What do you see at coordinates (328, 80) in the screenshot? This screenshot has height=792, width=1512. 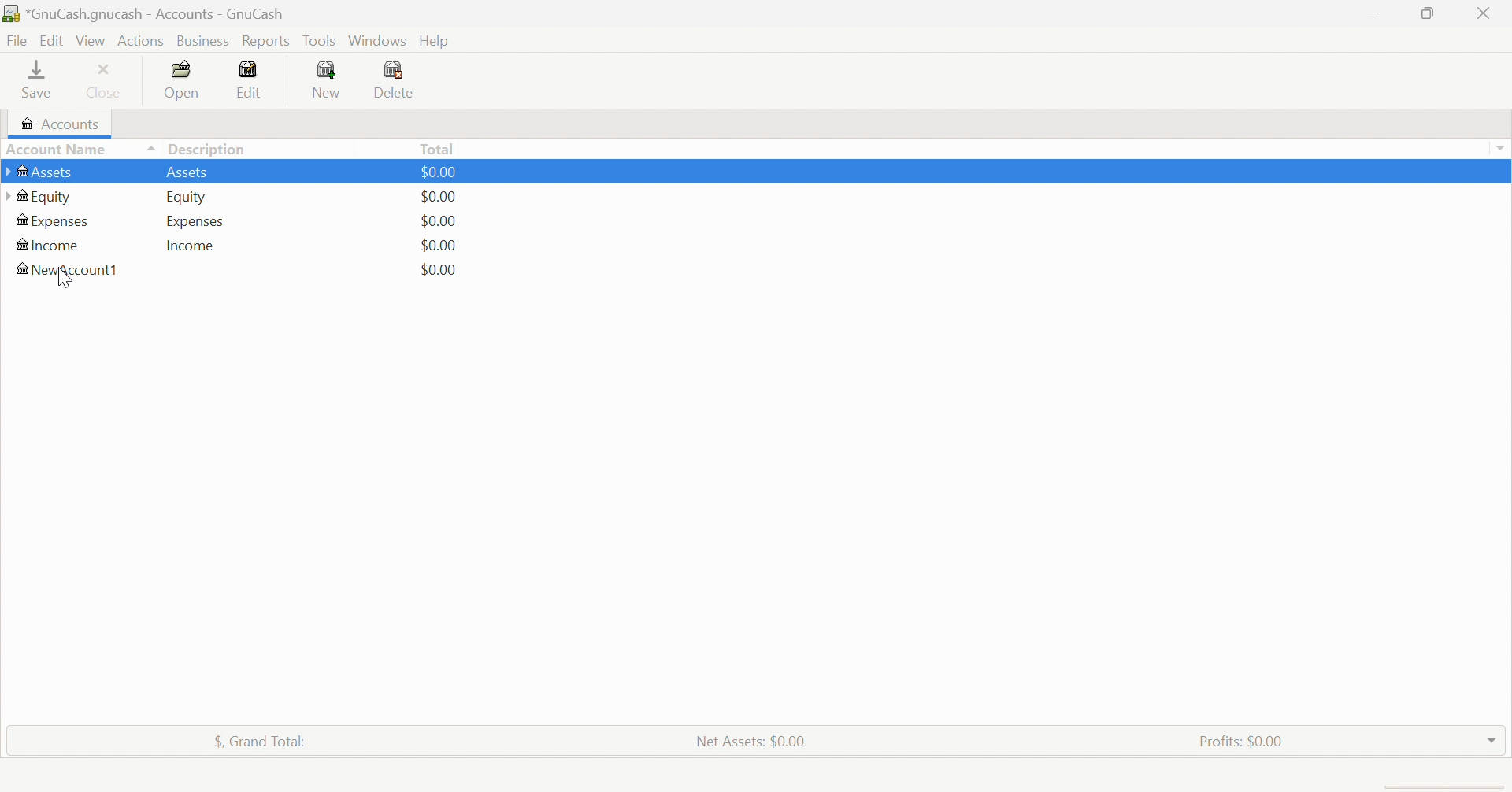 I see `New` at bounding box center [328, 80].